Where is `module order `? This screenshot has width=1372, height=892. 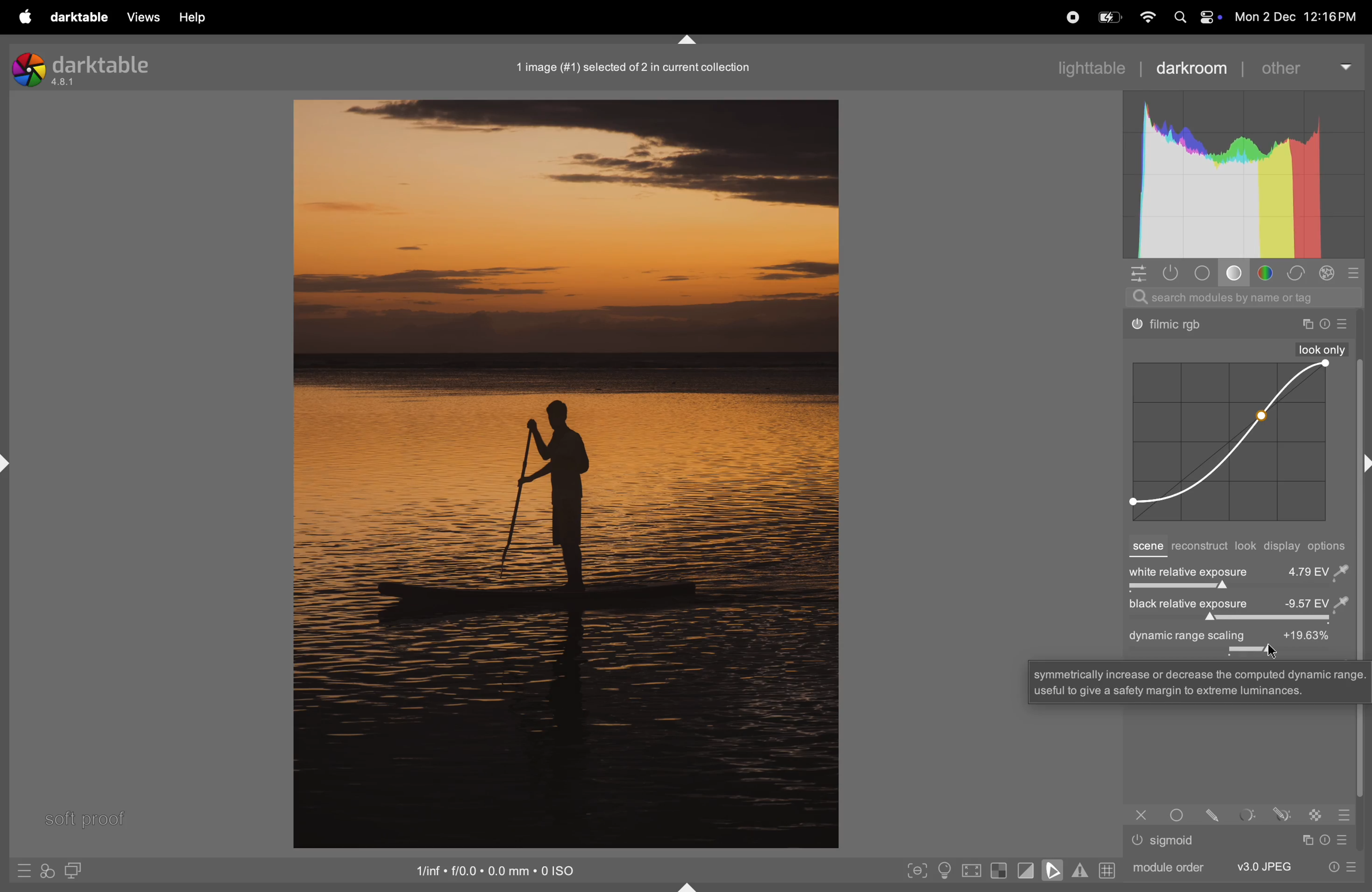
module order  is located at coordinates (1166, 866).